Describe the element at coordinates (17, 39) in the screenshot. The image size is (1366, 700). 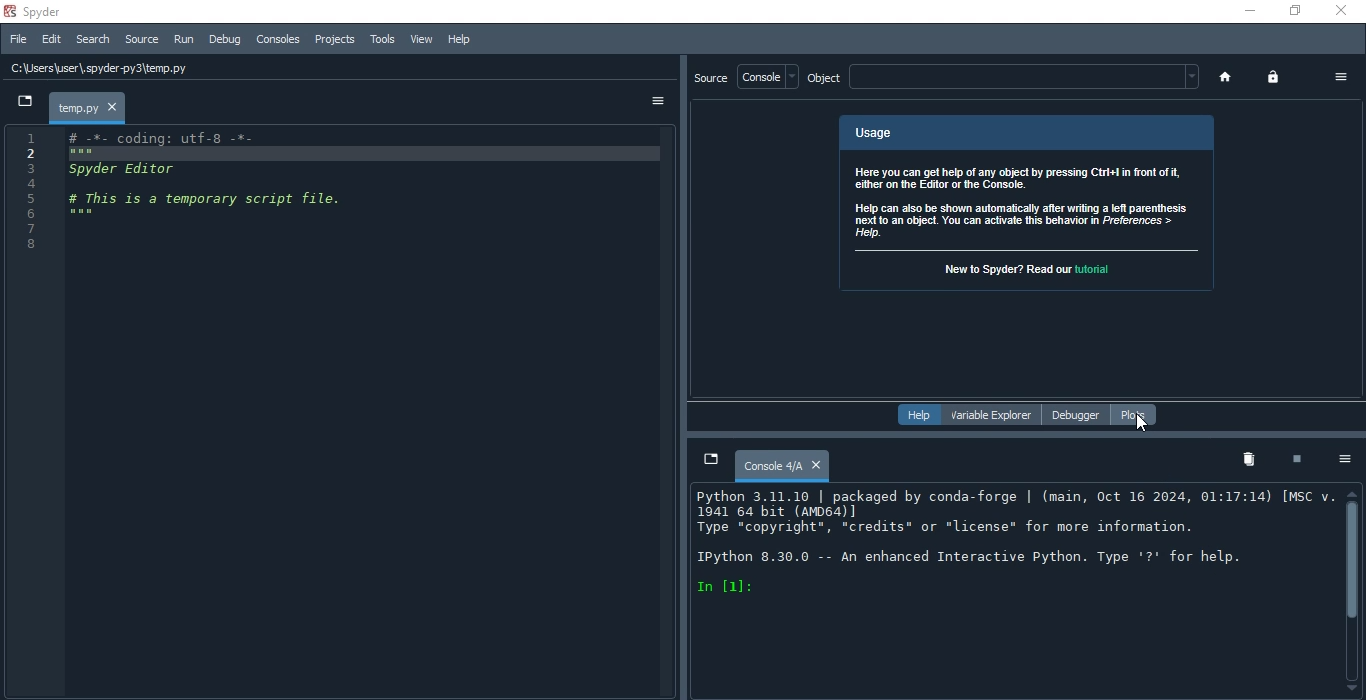
I see `File ` at that location.